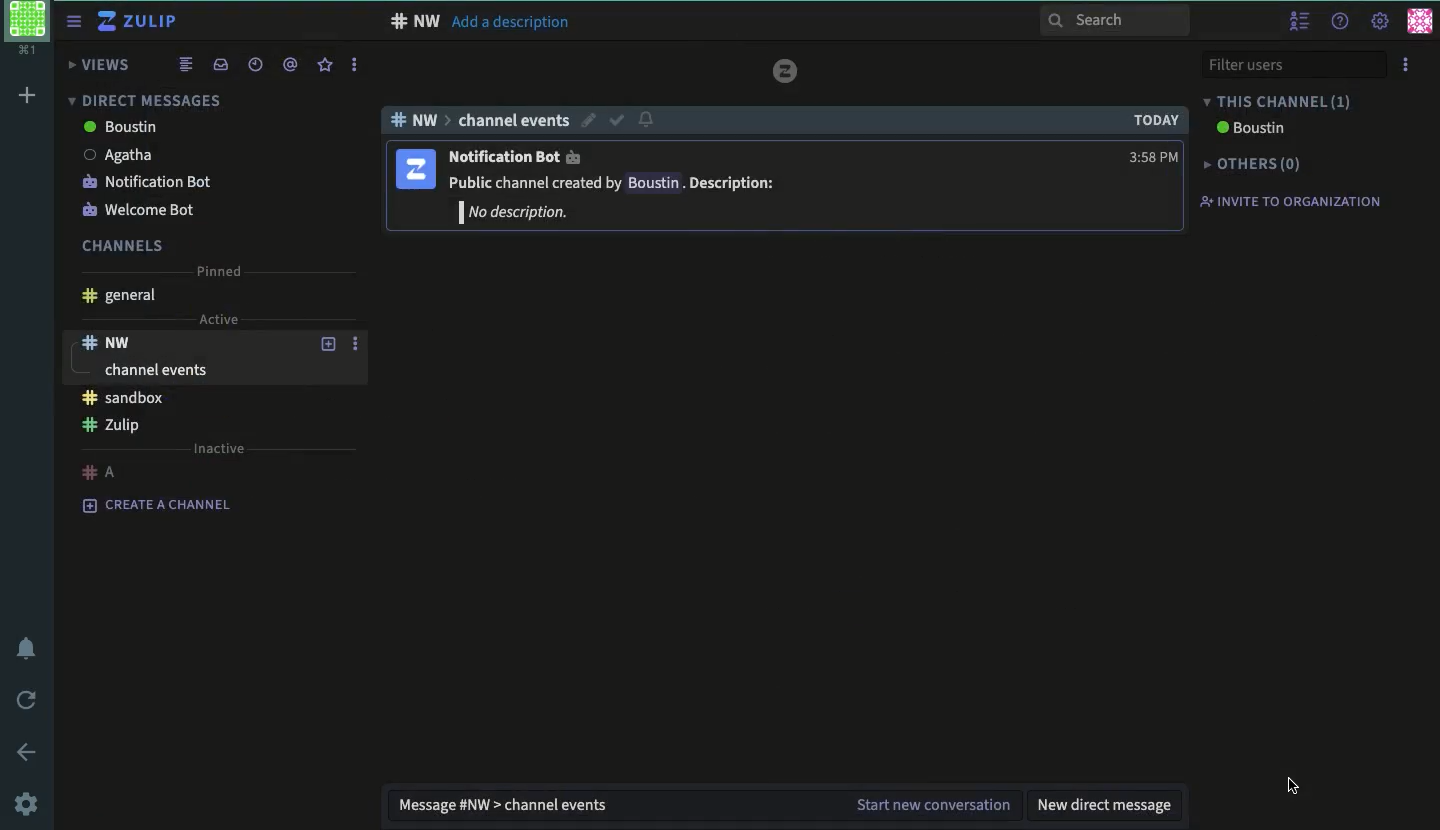 The width and height of the screenshot is (1440, 830). What do you see at coordinates (324, 67) in the screenshot?
I see `star` at bounding box center [324, 67].